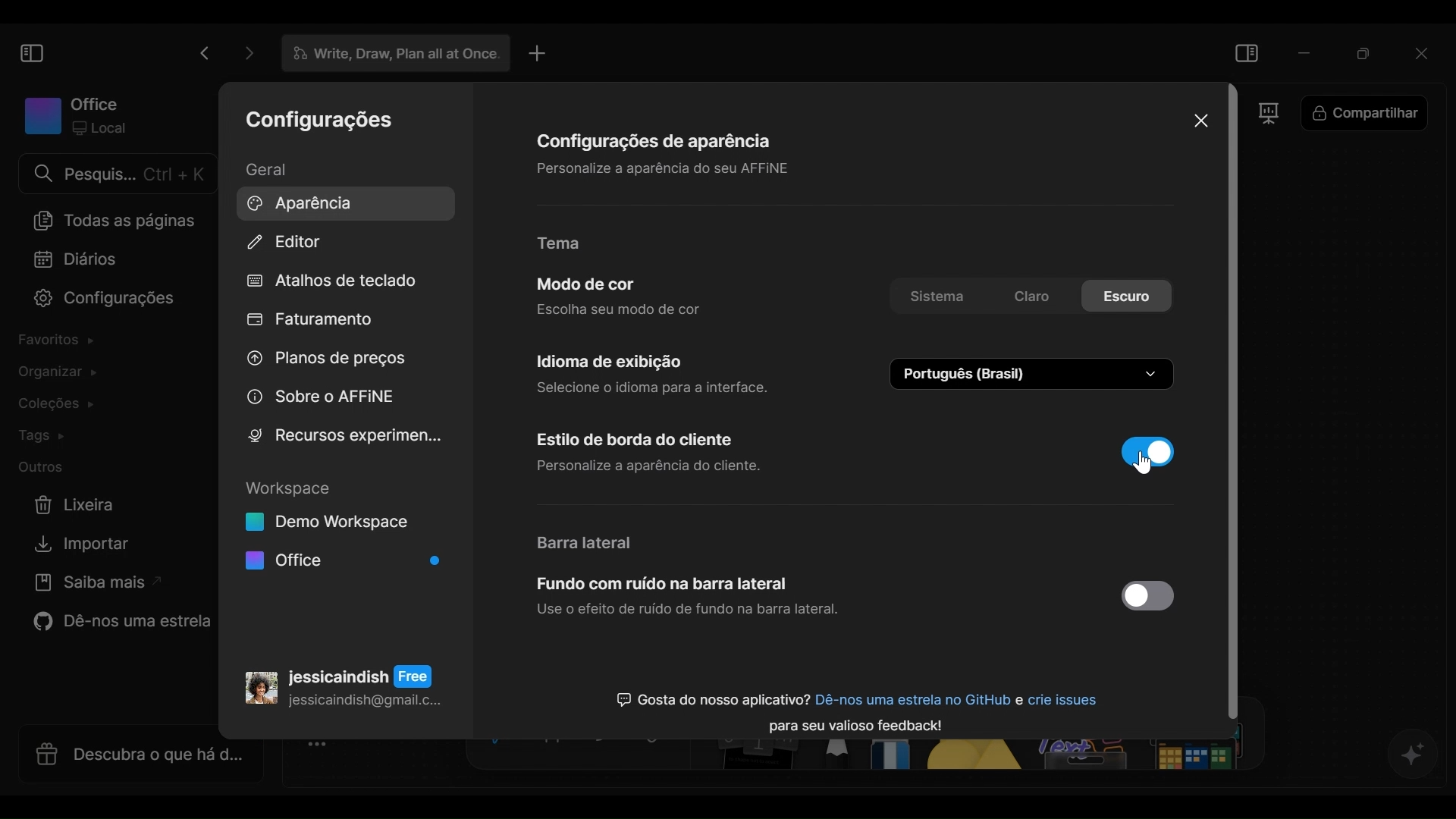 This screenshot has width=1456, height=819. I want to click on Search, so click(116, 174).